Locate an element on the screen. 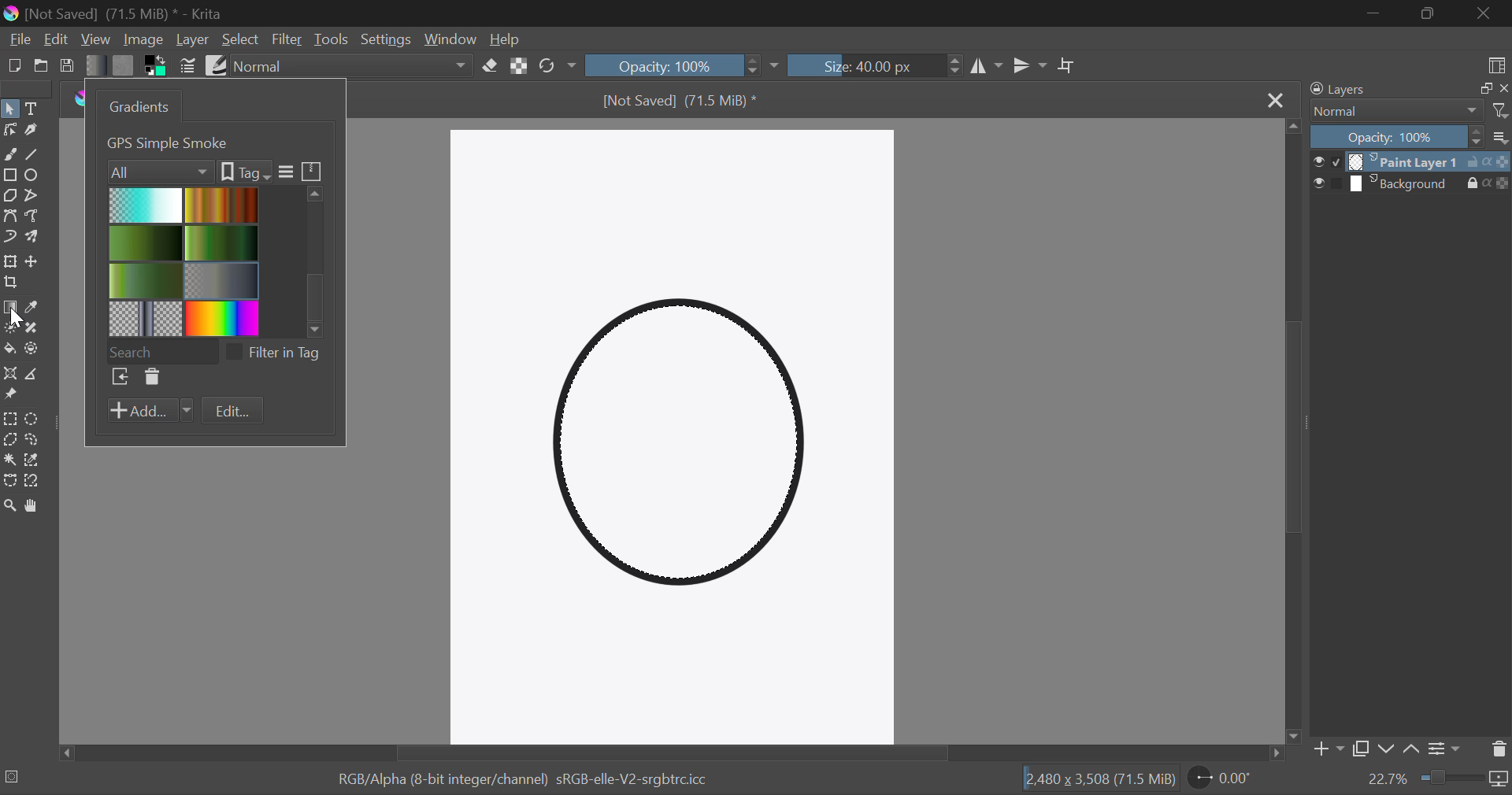  tags is located at coordinates (246, 172).